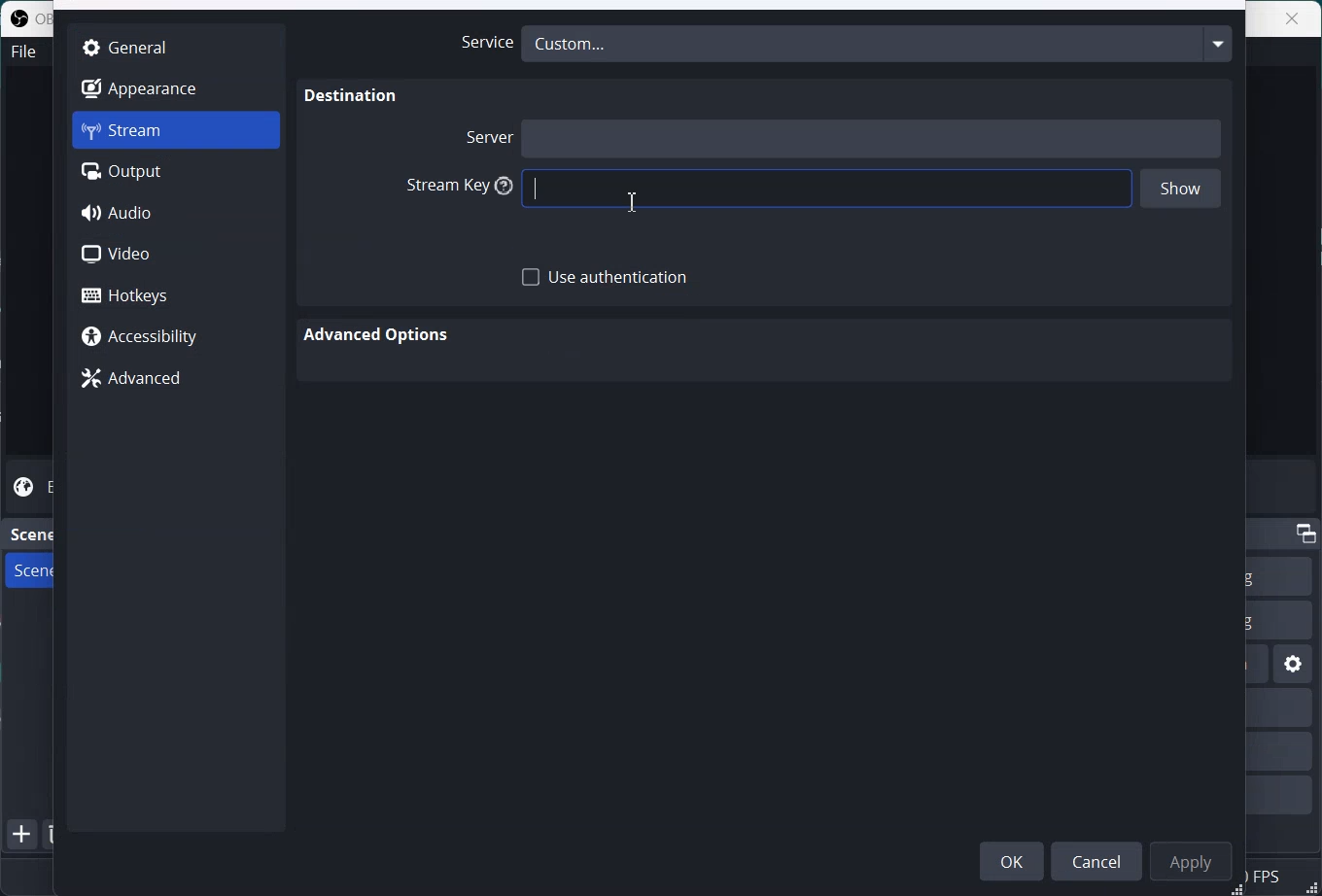  I want to click on Apply, so click(1195, 860).